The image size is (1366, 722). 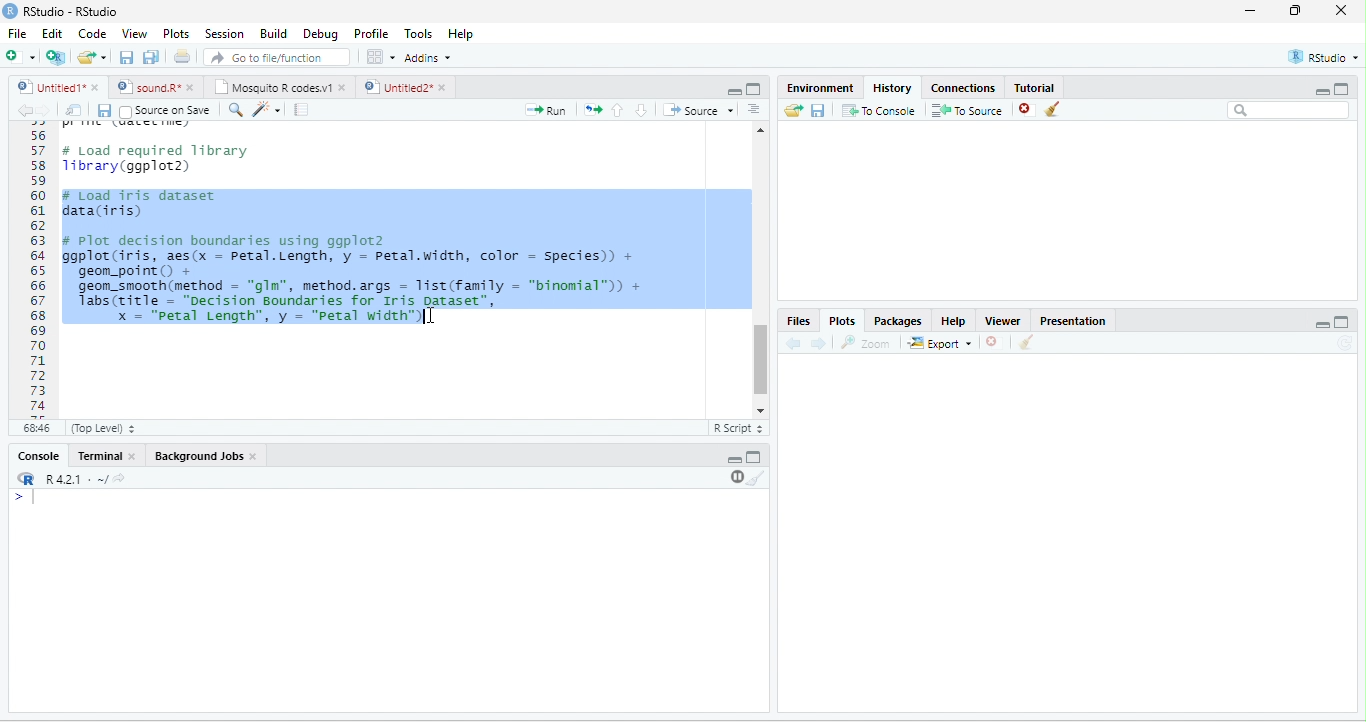 What do you see at coordinates (126, 57) in the screenshot?
I see `save` at bounding box center [126, 57].